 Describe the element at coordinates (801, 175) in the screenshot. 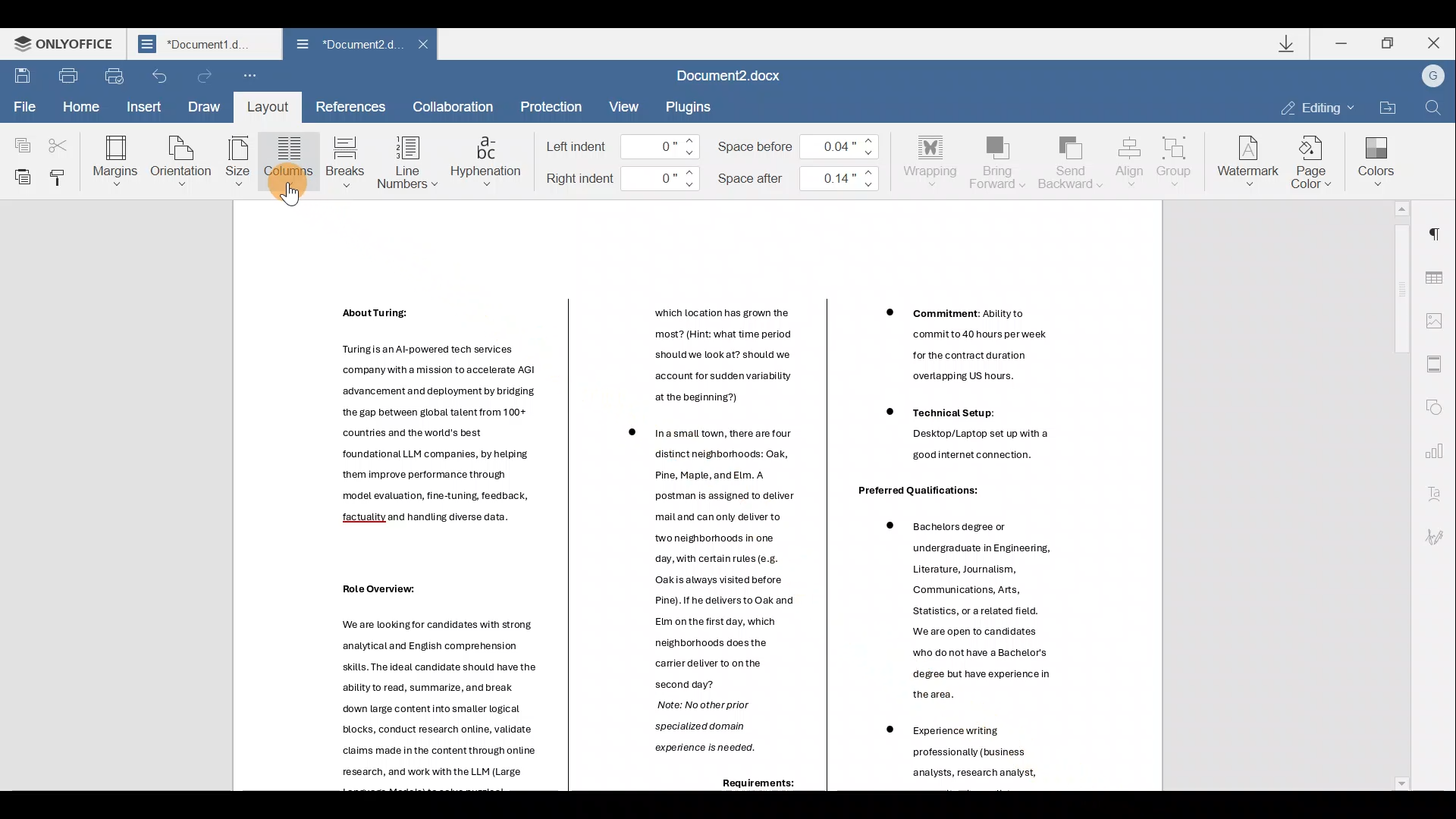

I see `Space after` at that location.